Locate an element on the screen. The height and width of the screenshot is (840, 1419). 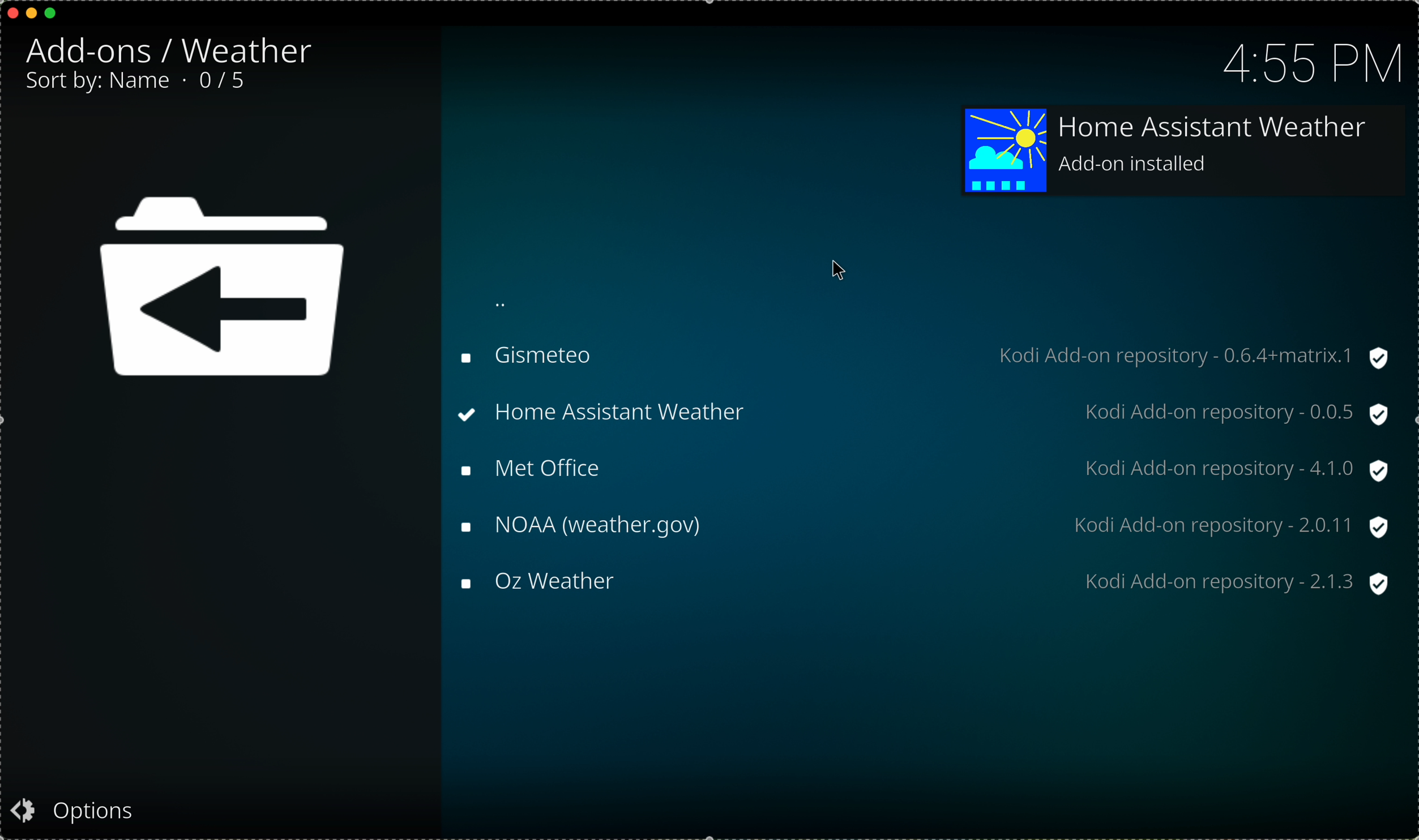
maximize is located at coordinates (52, 13).